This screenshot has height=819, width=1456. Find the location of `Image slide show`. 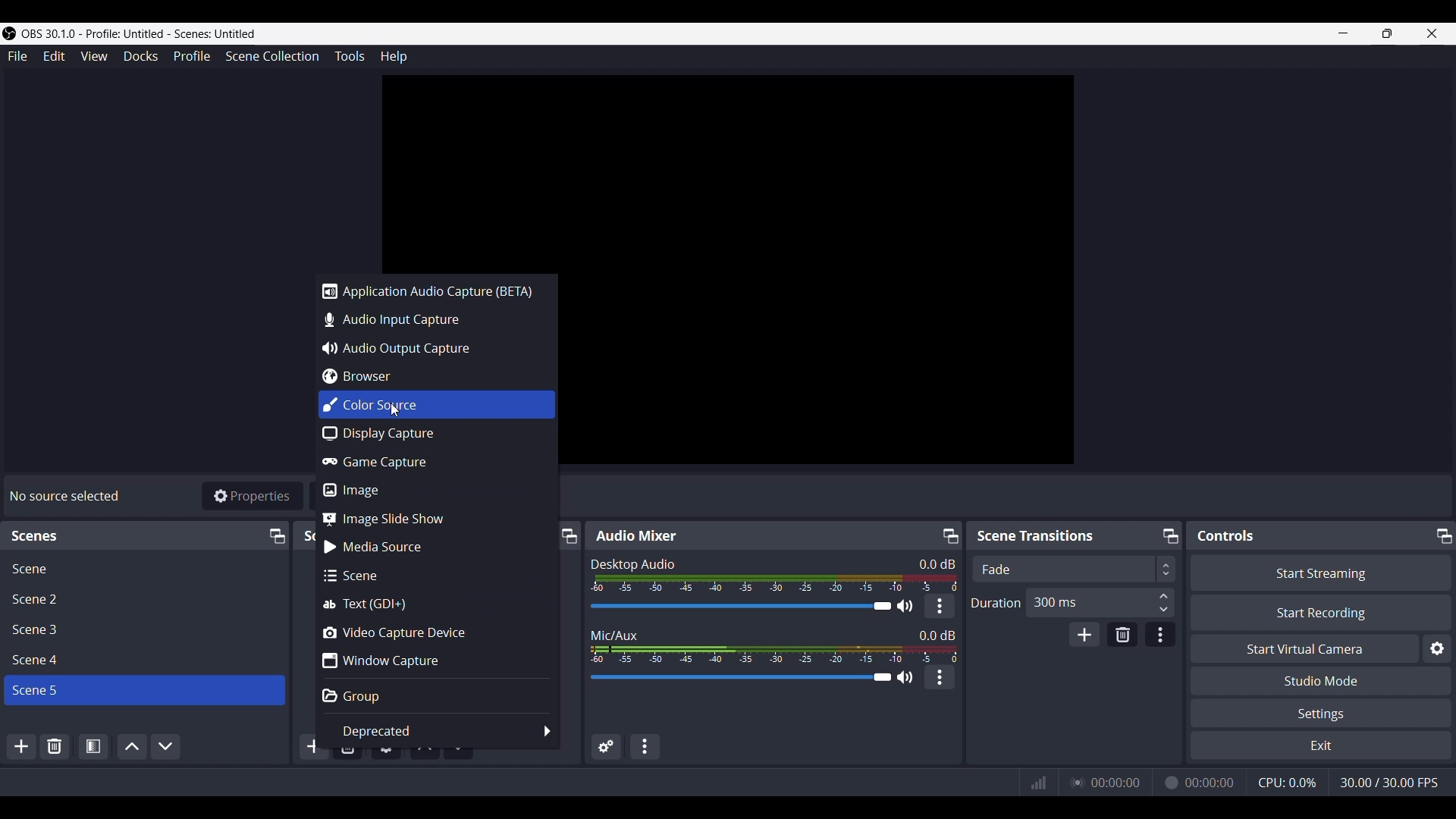

Image slide show is located at coordinates (435, 519).